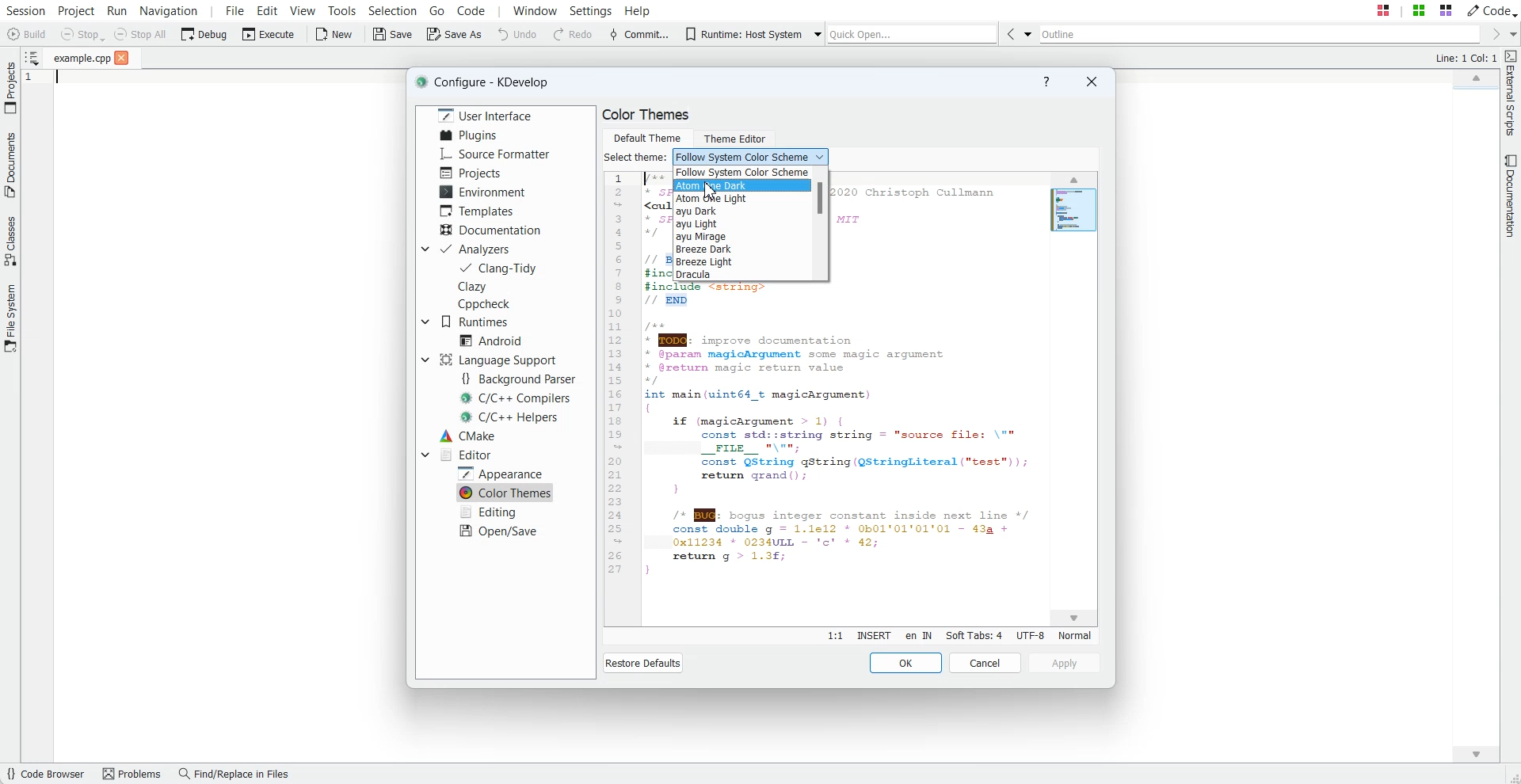 Image resolution: width=1521 pixels, height=784 pixels. Describe the element at coordinates (1030, 635) in the screenshot. I see `UTF-8` at that location.